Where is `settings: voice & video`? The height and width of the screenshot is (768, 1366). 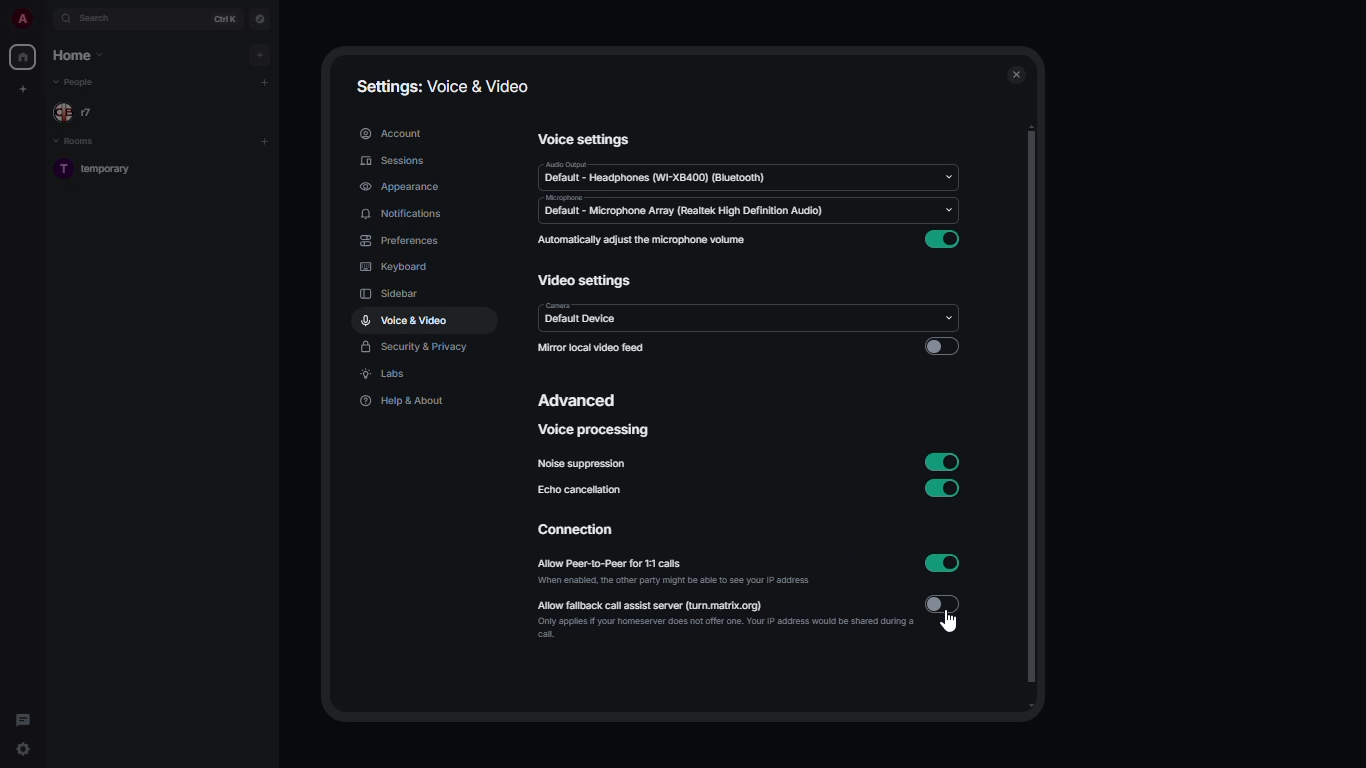
settings: voice & video is located at coordinates (448, 84).